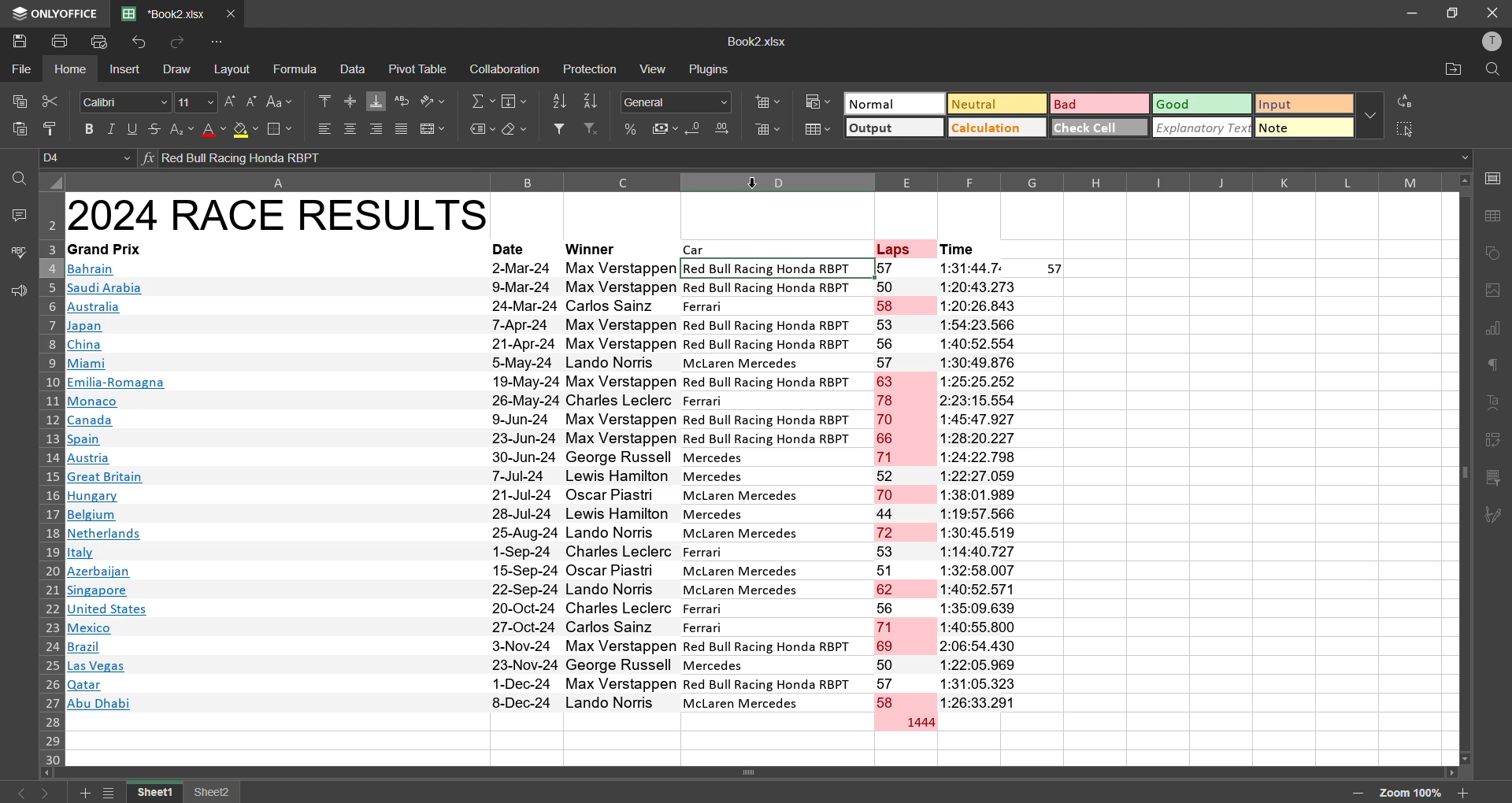 The height and width of the screenshot is (803, 1512). What do you see at coordinates (512, 249) in the screenshot?
I see `date` at bounding box center [512, 249].